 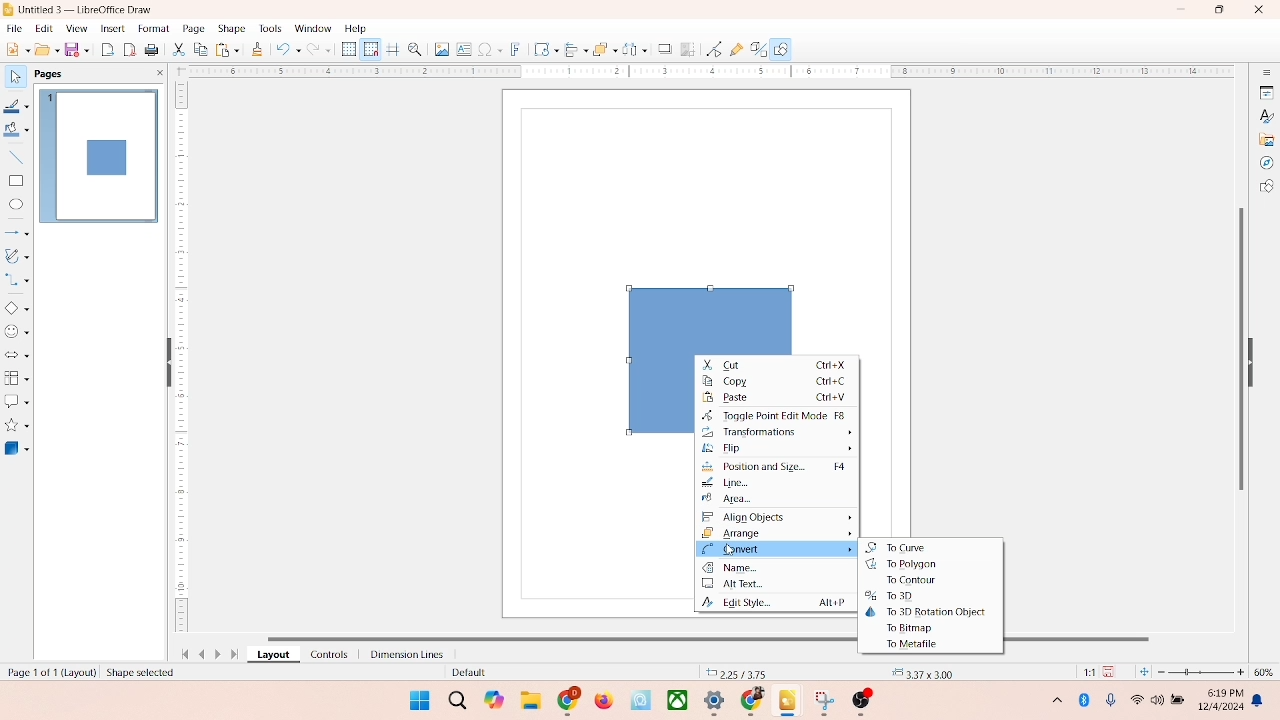 I want to click on export, so click(x=110, y=48).